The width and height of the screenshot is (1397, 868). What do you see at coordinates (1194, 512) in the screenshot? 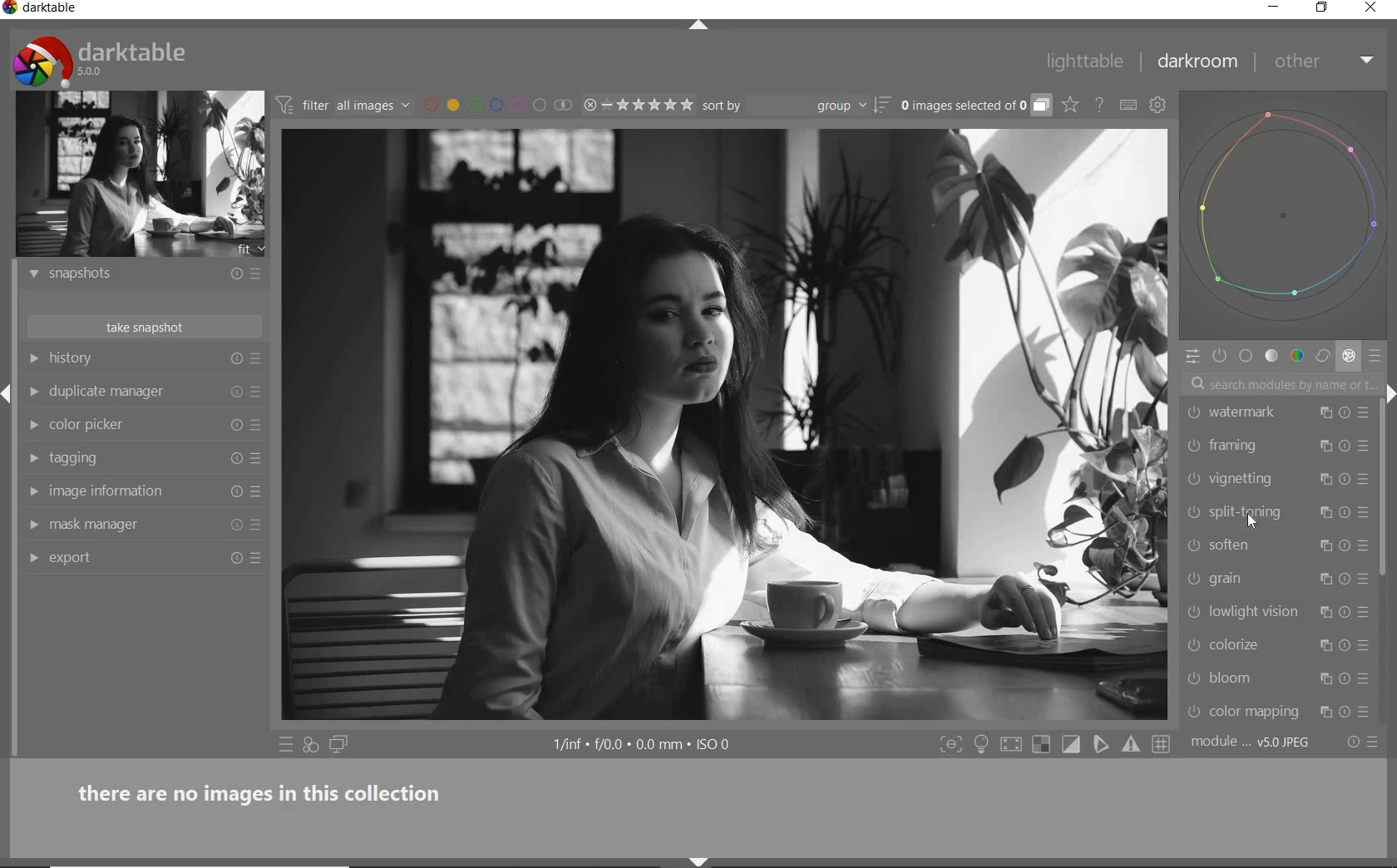
I see `'split-toning' is switched off` at bounding box center [1194, 512].